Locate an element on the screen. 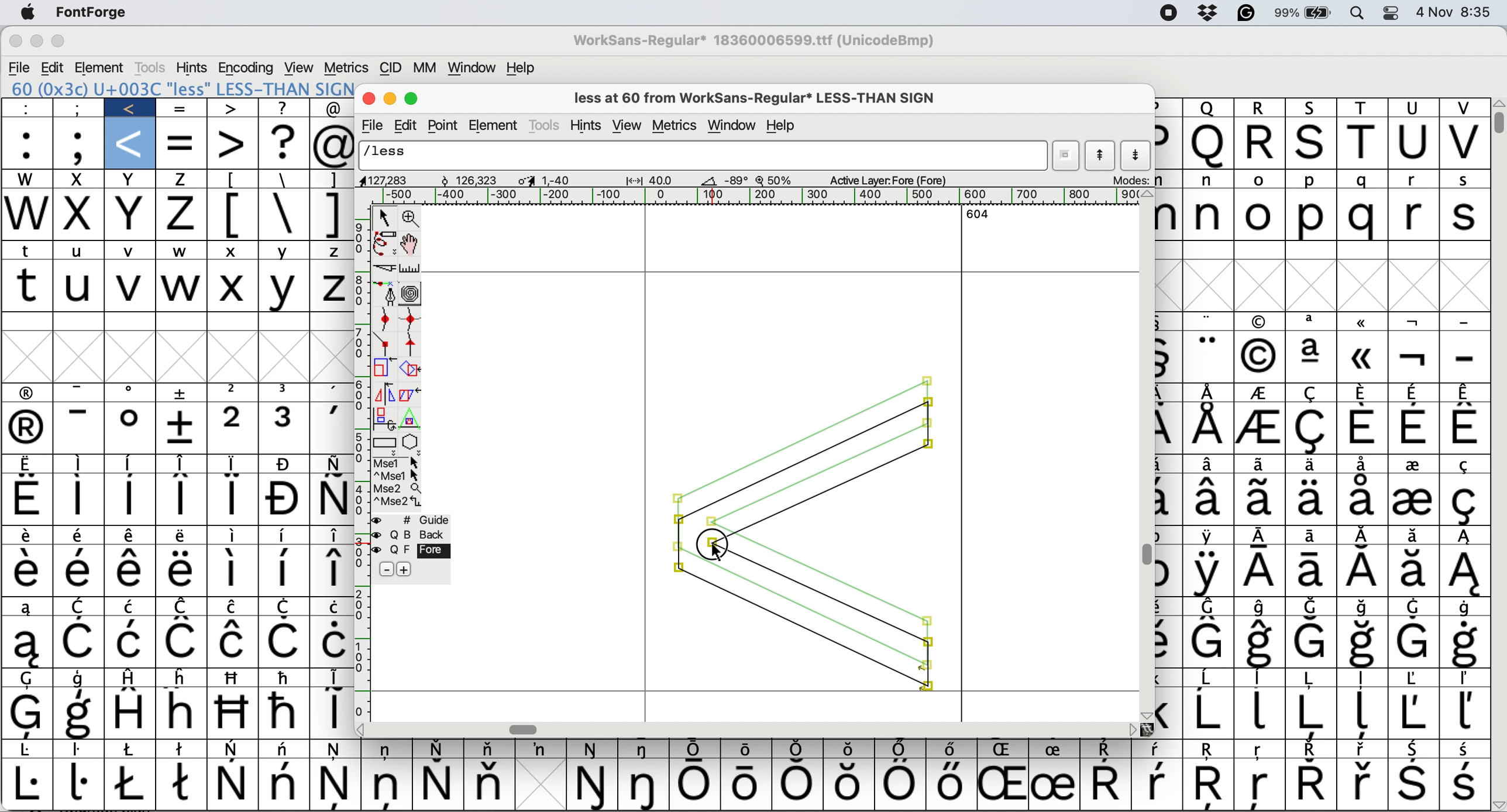 This screenshot has width=1507, height=812. Symbol is located at coordinates (235, 536).